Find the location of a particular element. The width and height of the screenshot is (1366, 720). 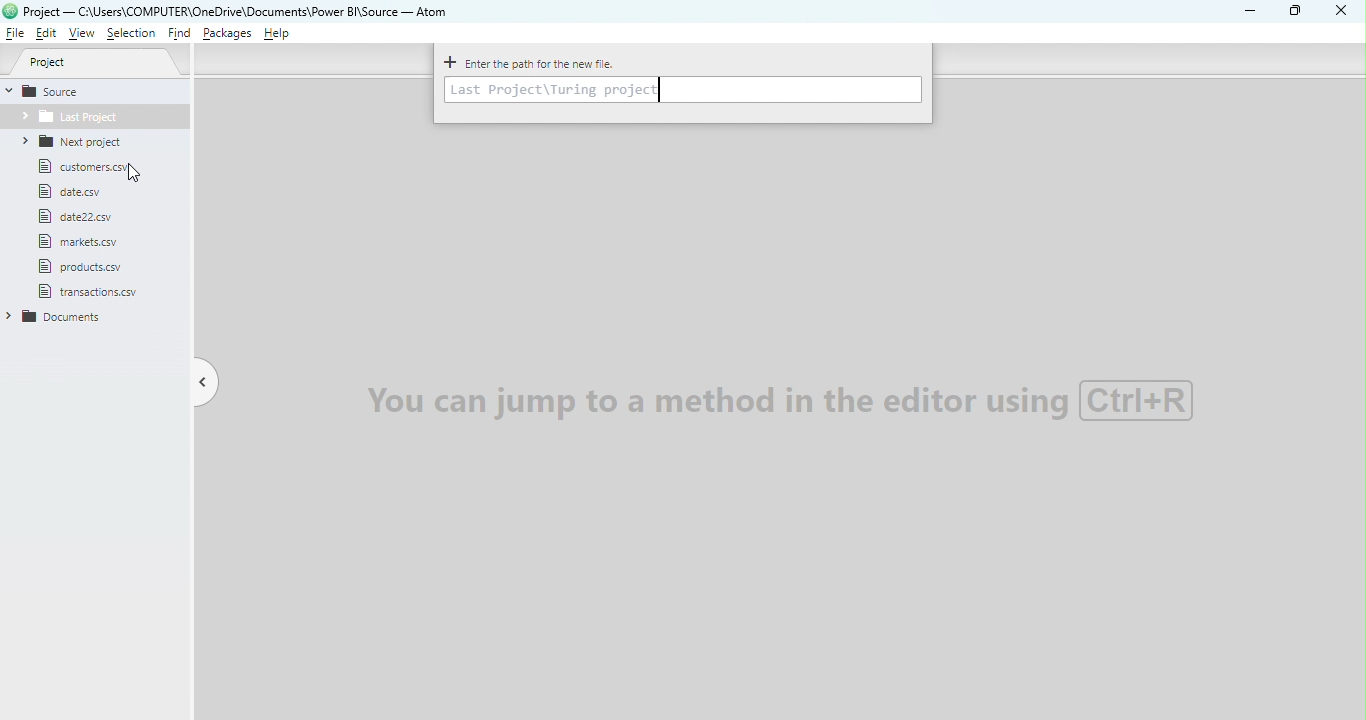

Minimize is located at coordinates (1251, 12).